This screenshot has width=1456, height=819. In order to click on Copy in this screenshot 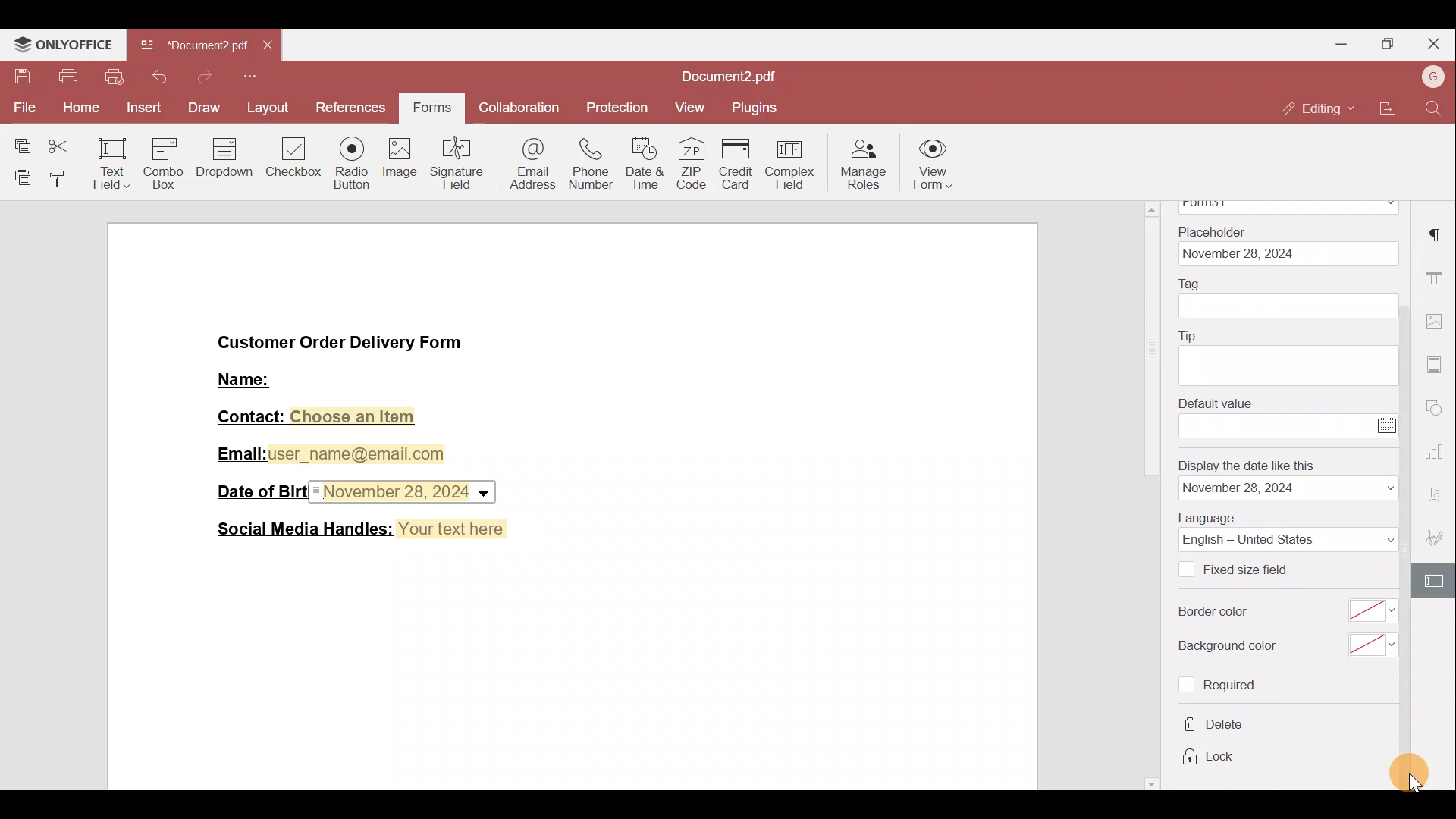, I will do `click(19, 143)`.